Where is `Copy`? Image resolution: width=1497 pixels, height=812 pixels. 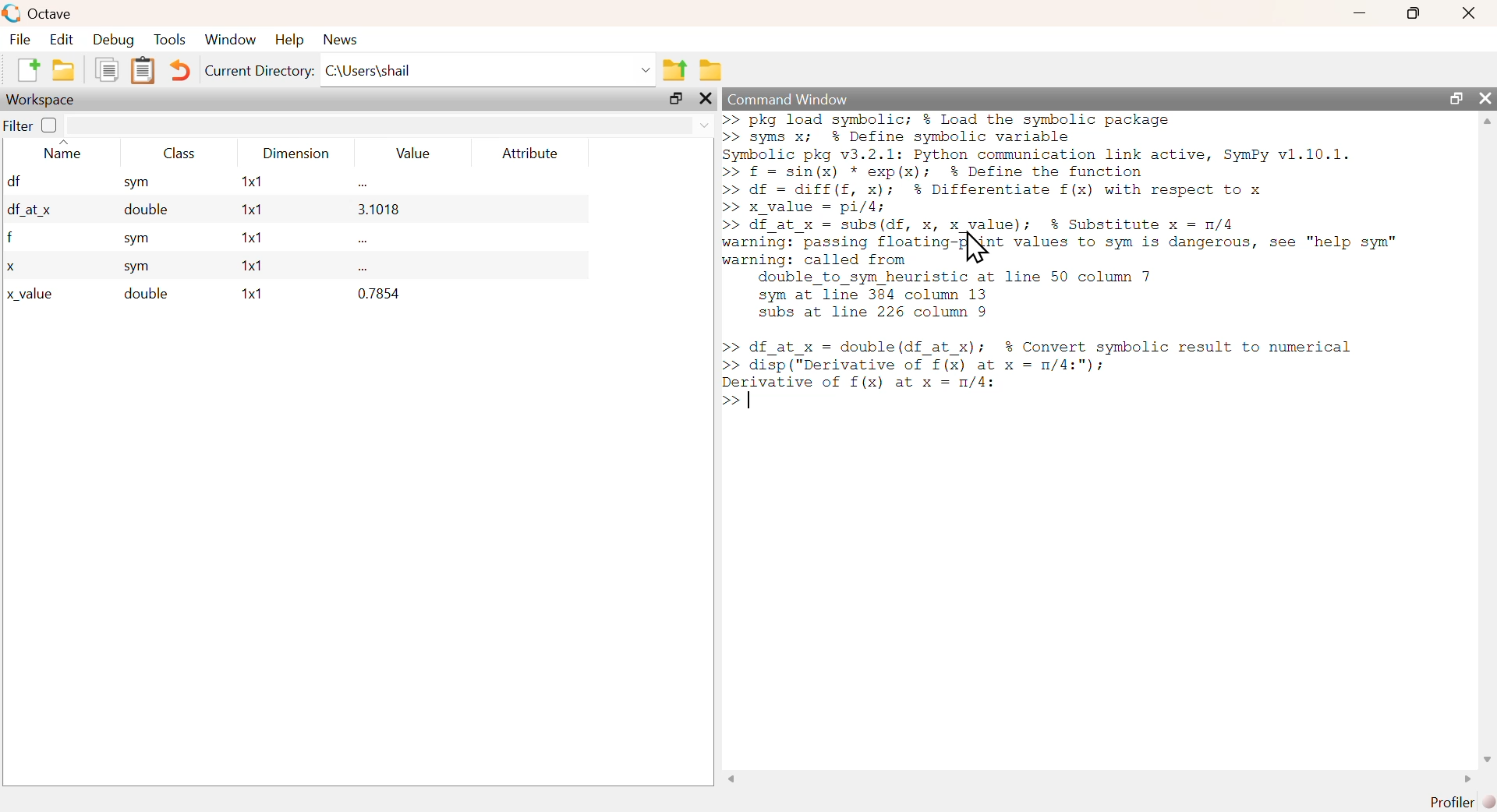 Copy is located at coordinates (108, 70).